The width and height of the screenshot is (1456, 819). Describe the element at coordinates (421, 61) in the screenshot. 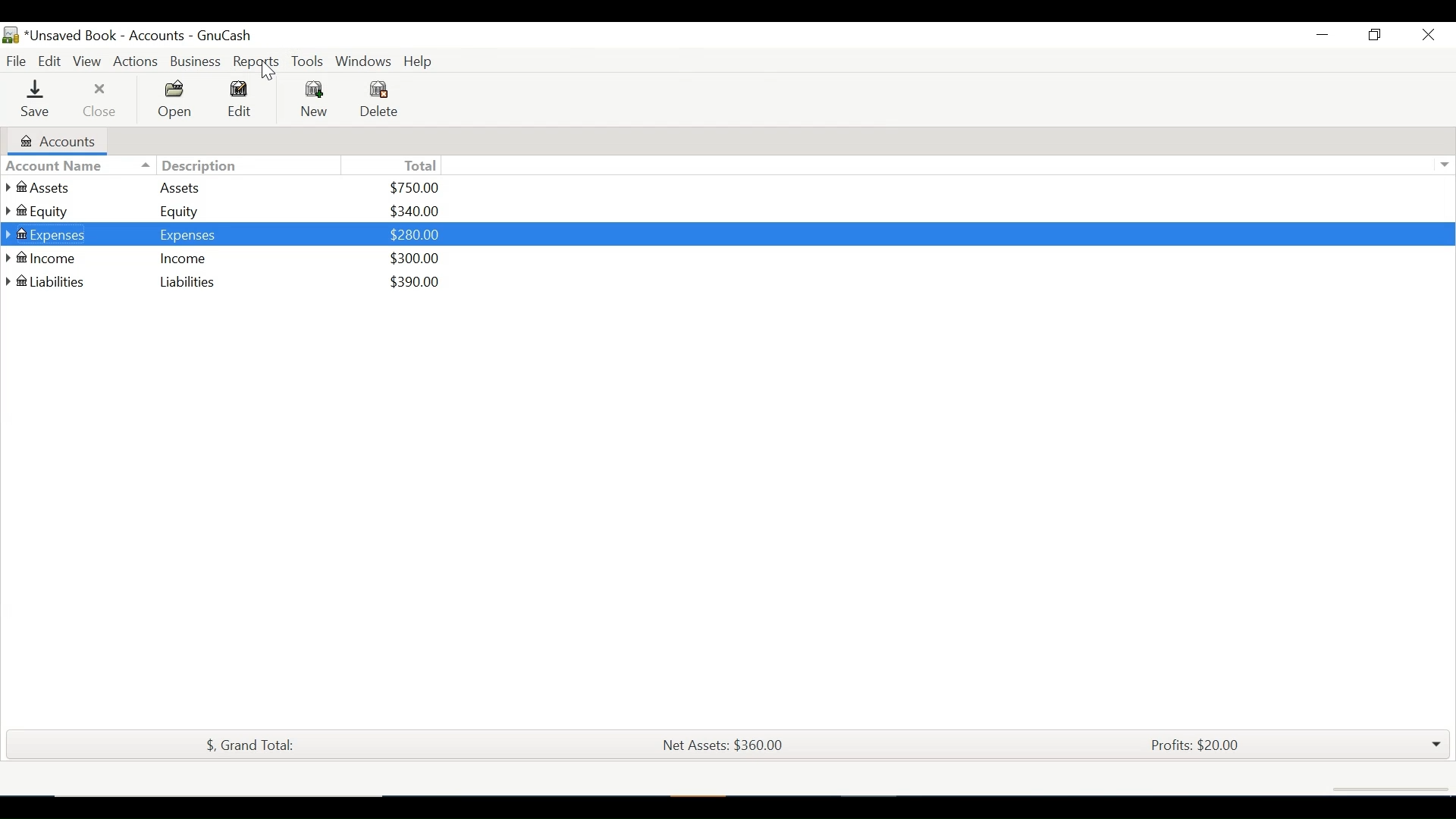

I see `Help` at that location.